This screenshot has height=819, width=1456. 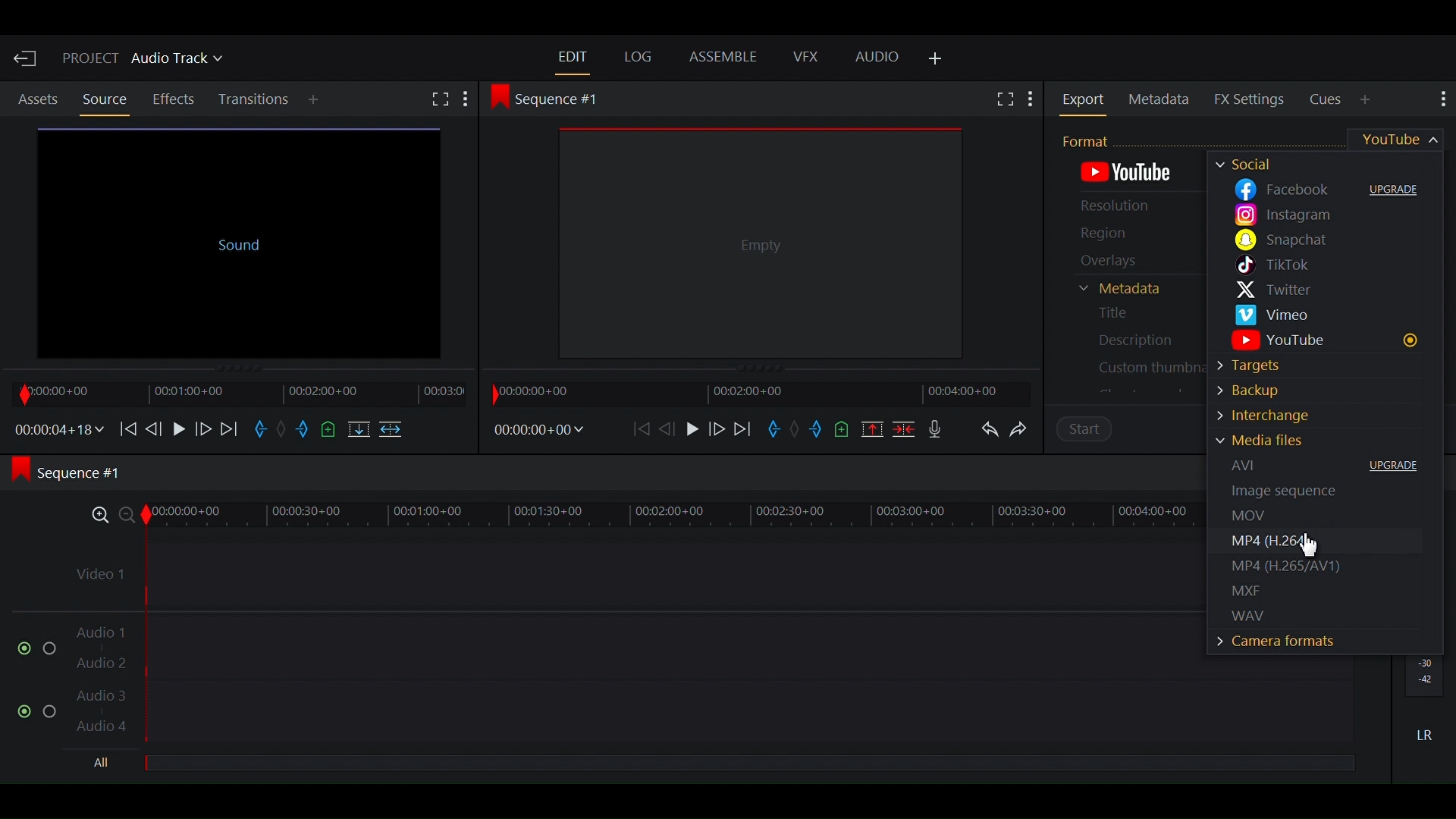 I want to click on Audio, so click(x=877, y=58).